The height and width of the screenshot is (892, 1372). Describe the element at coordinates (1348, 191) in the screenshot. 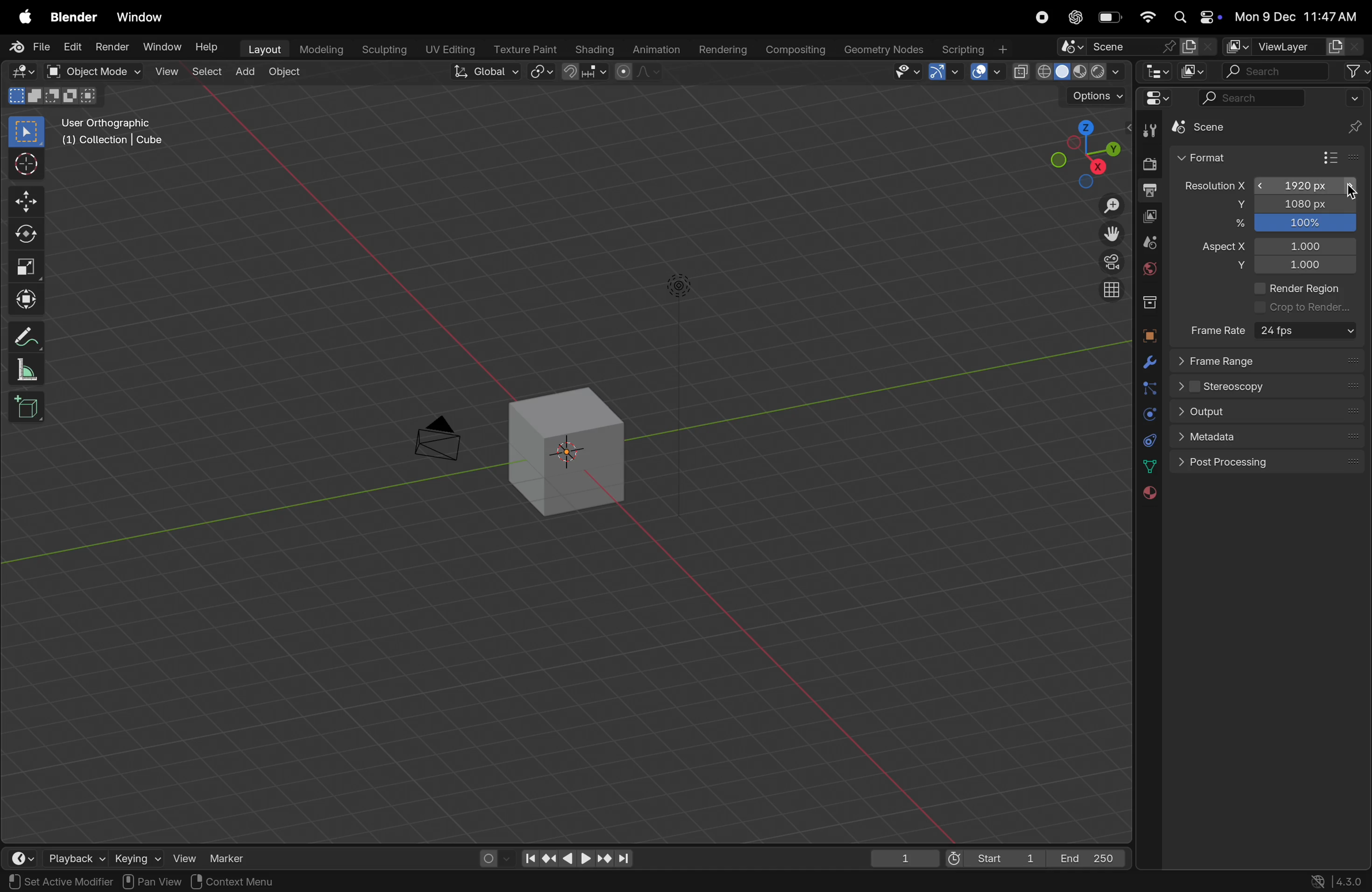

I see `cursor` at that location.